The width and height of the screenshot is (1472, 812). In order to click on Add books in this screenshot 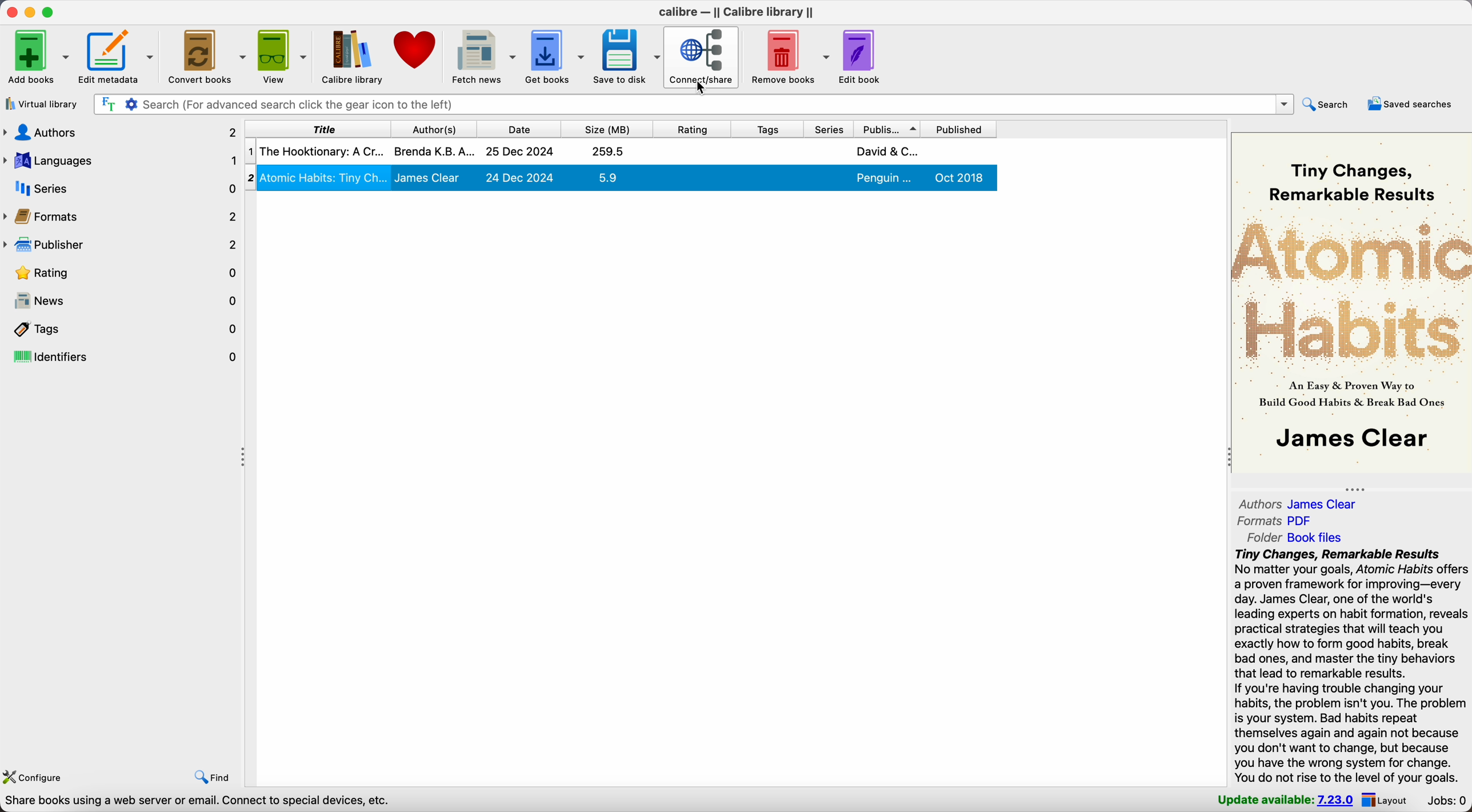, I will do `click(38, 56)`.